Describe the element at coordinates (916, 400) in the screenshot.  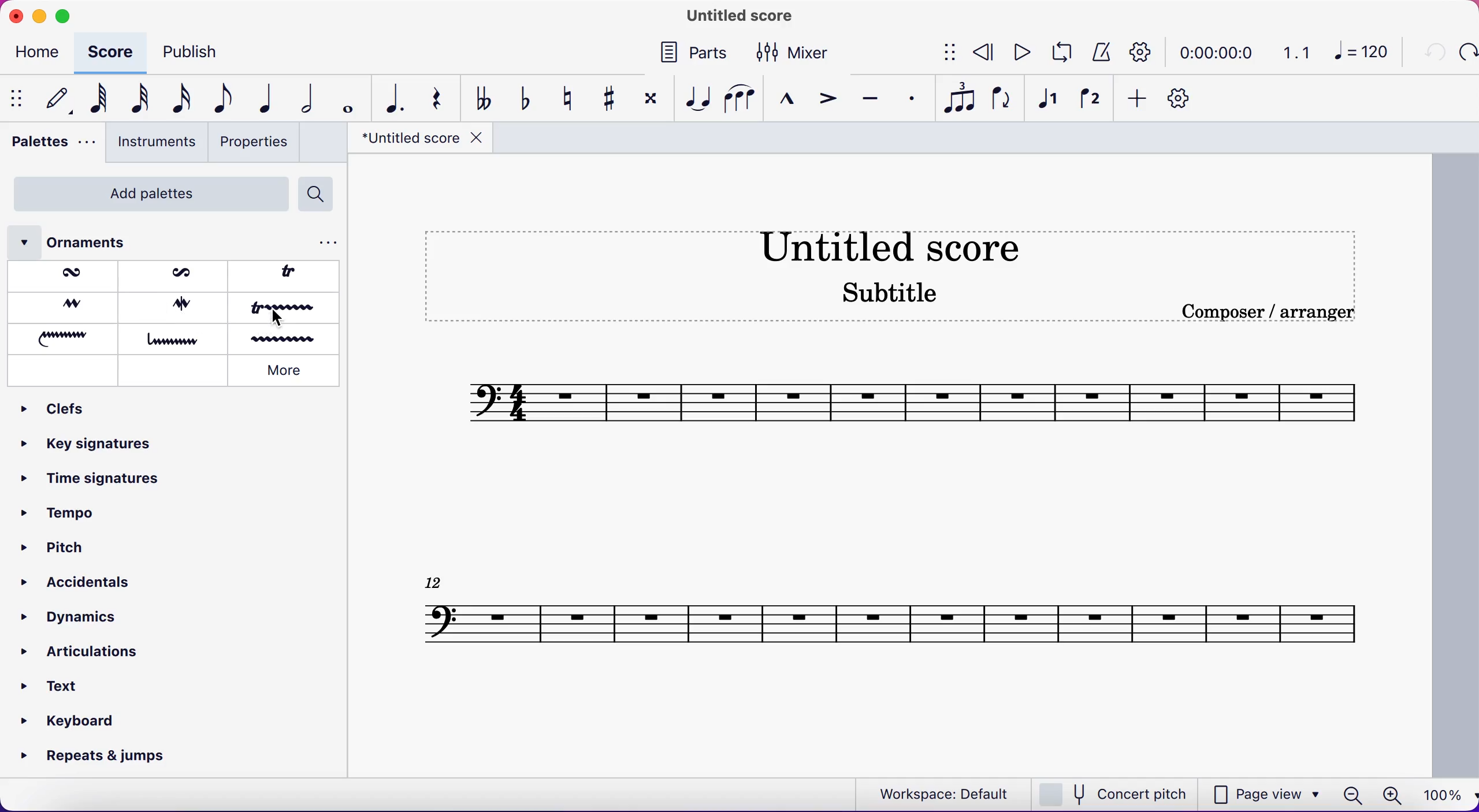
I see `score` at that location.